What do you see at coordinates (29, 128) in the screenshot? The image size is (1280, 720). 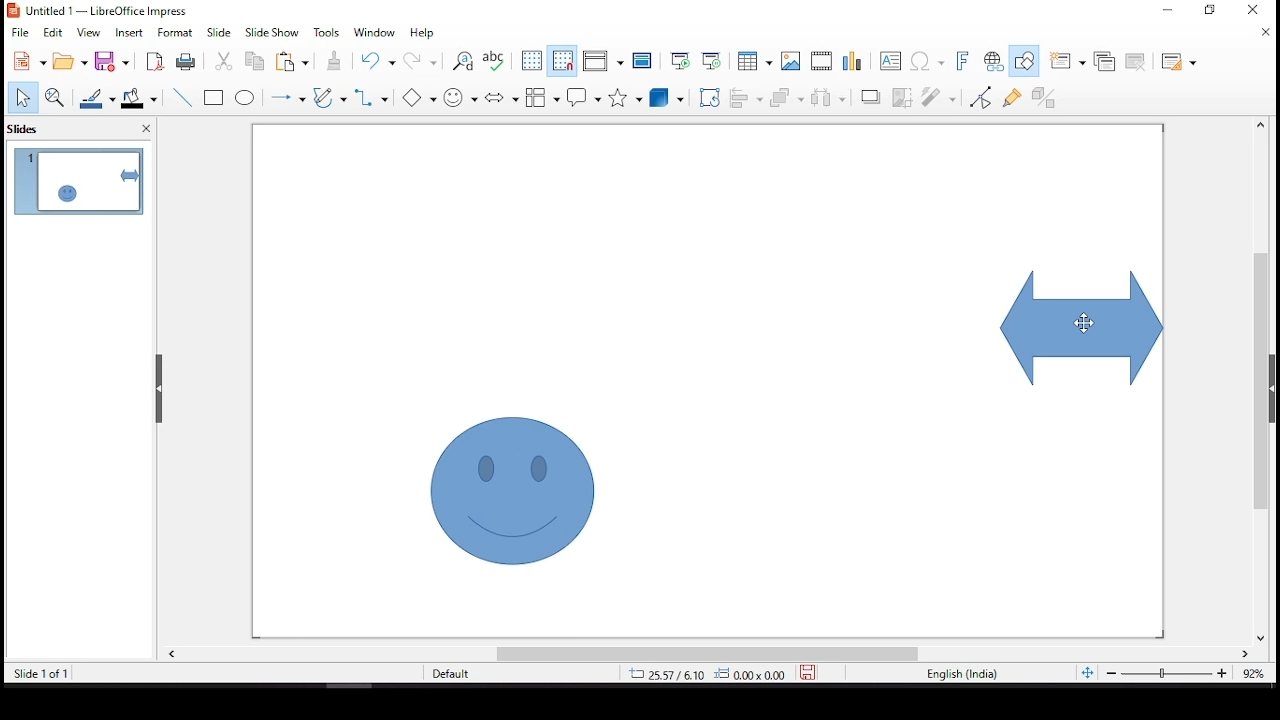 I see `slides` at bounding box center [29, 128].